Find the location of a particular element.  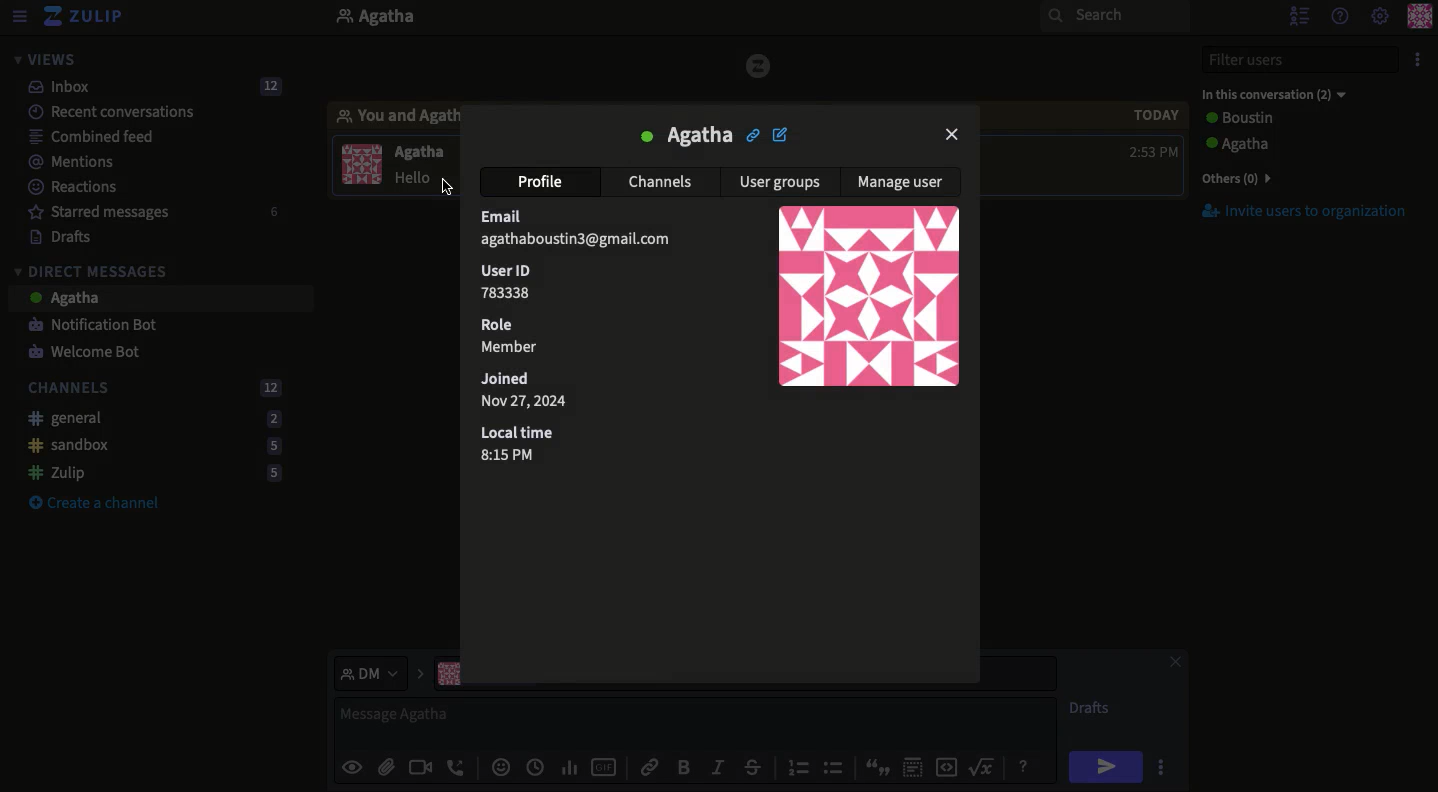

Hide user list is located at coordinates (1299, 17).